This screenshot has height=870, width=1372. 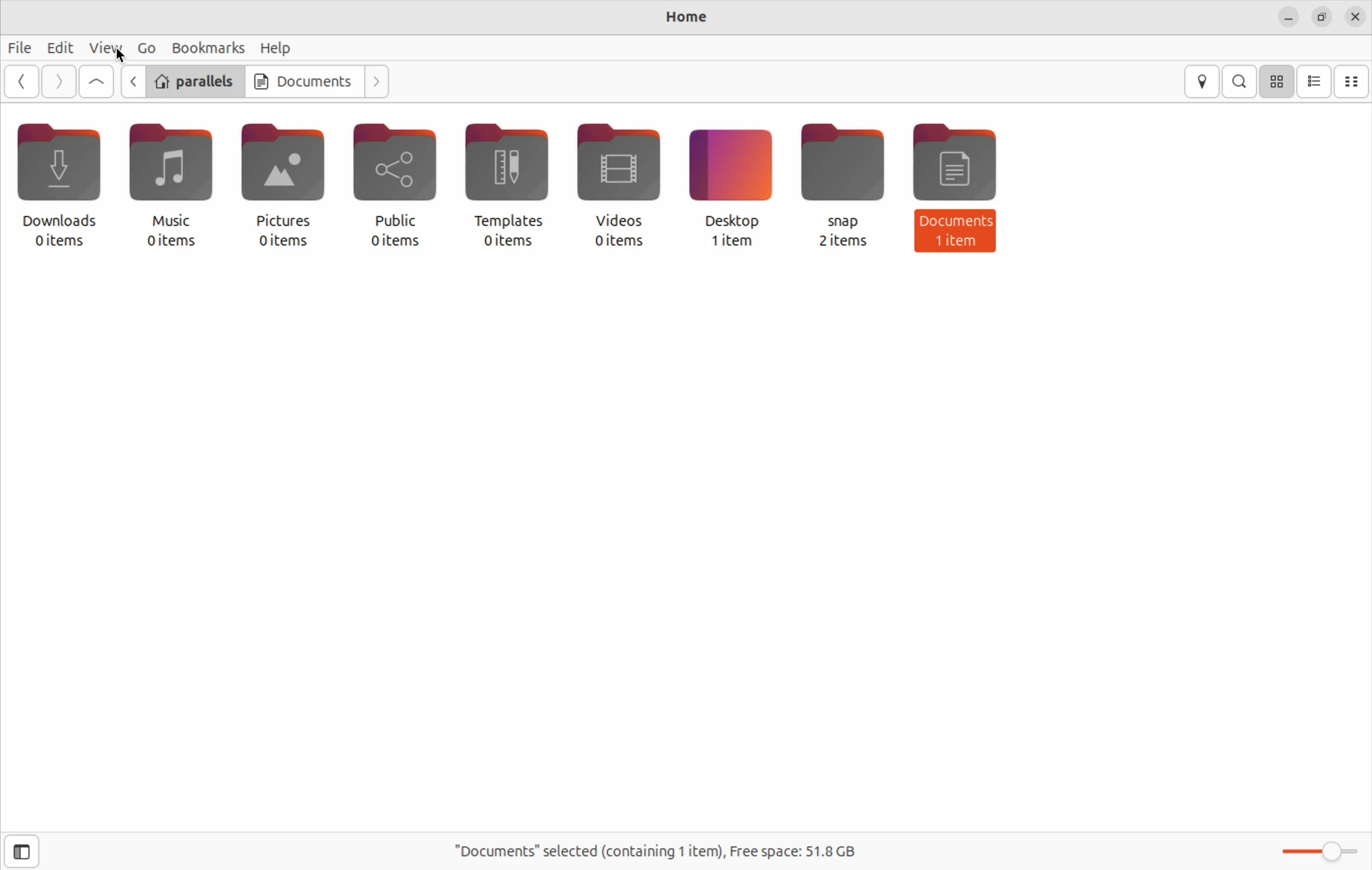 What do you see at coordinates (1324, 18) in the screenshot?
I see `resize` at bounding box center [1324, 18].